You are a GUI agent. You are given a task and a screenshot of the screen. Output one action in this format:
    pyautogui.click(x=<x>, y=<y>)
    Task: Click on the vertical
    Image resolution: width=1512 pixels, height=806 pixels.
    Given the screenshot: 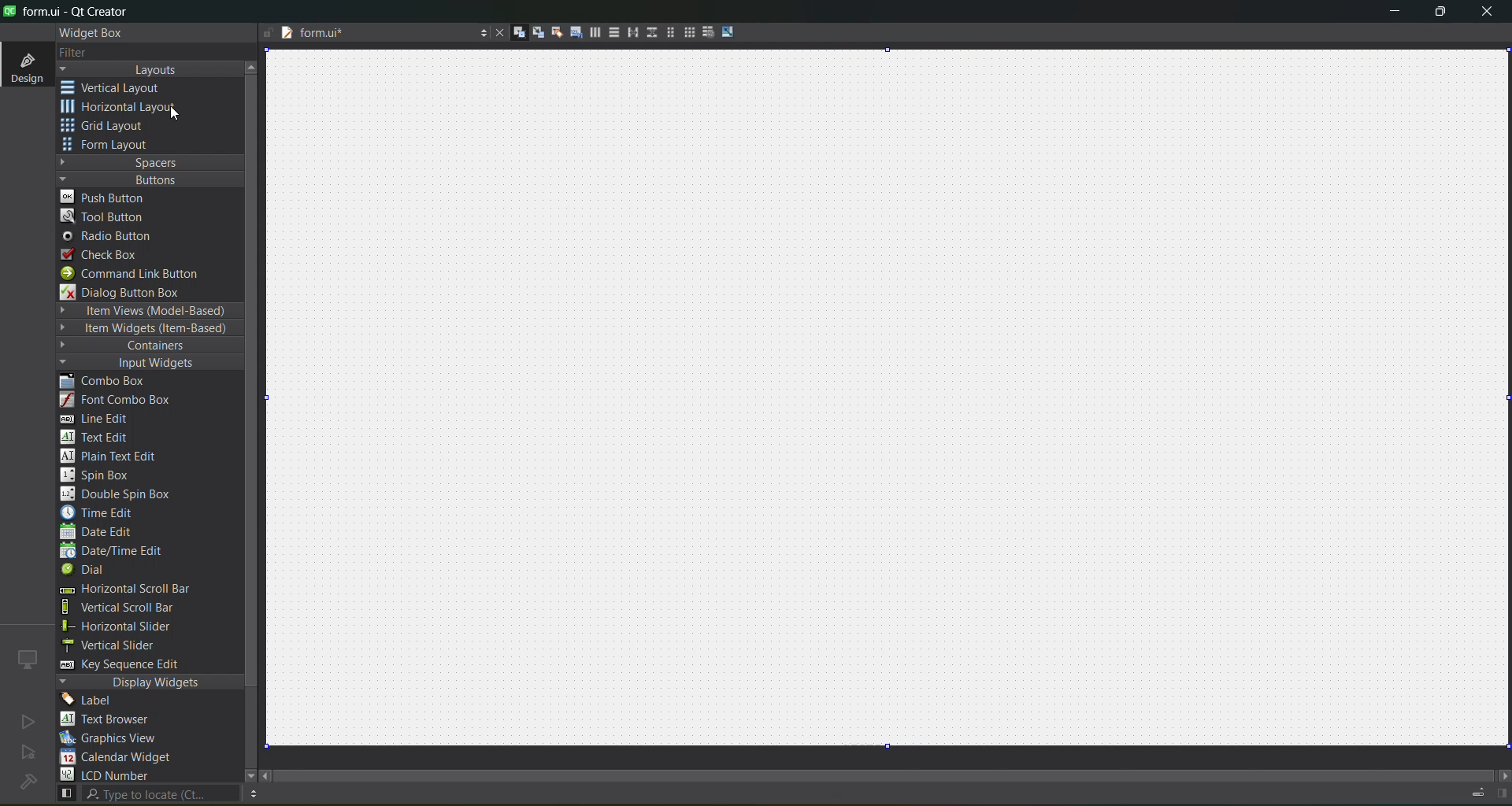 What is the action you would take?
    pyautogui.click(x=122, y=88)
    